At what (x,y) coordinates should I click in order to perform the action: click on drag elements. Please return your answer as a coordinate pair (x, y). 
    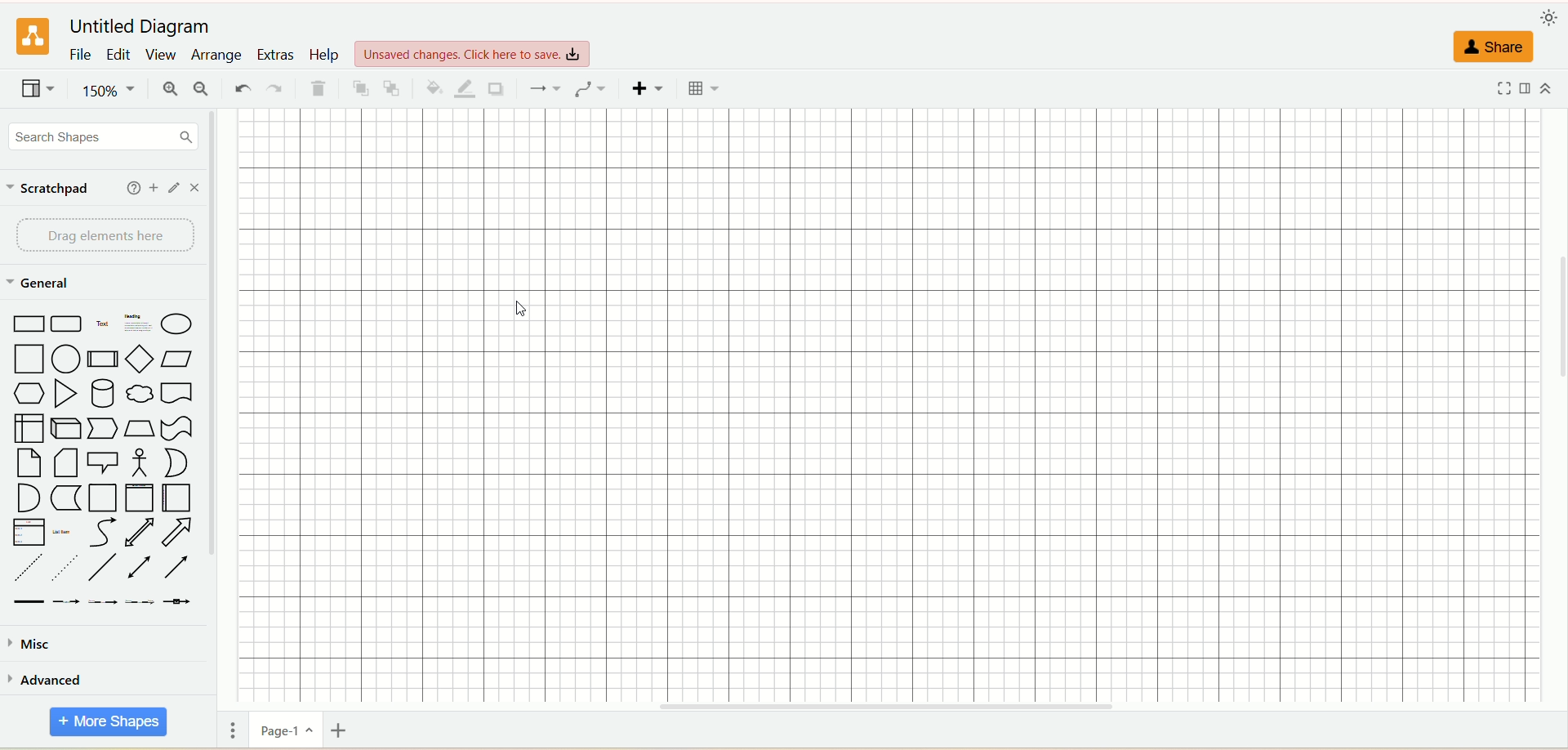
    Looking at the image, I should click on (105, 239).